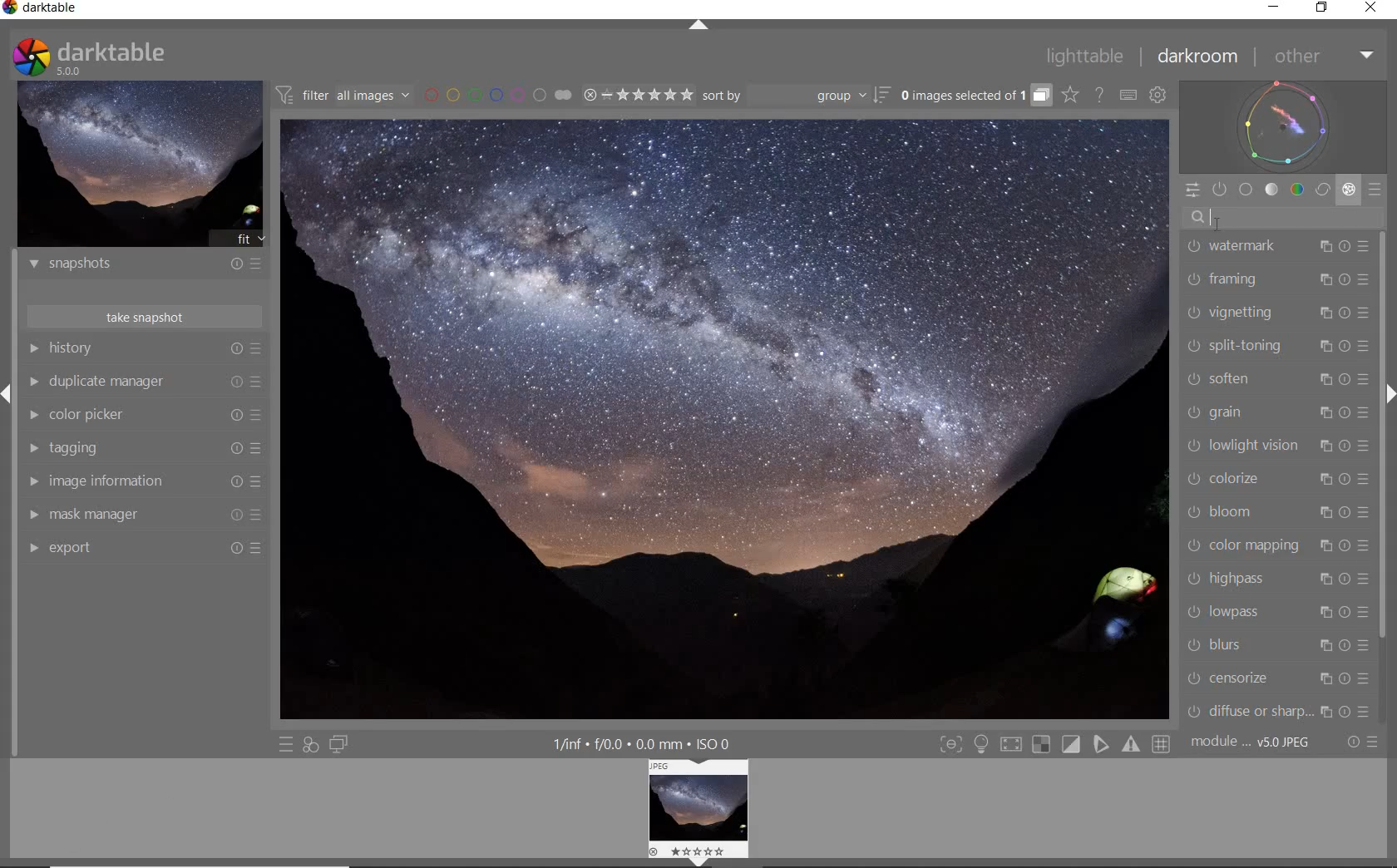 Image resolution: width=1397 pixels, height=868 pixels. Describe the element at coordinates (1349, 511) in the screenshot. I see `reset parameters` at that location.